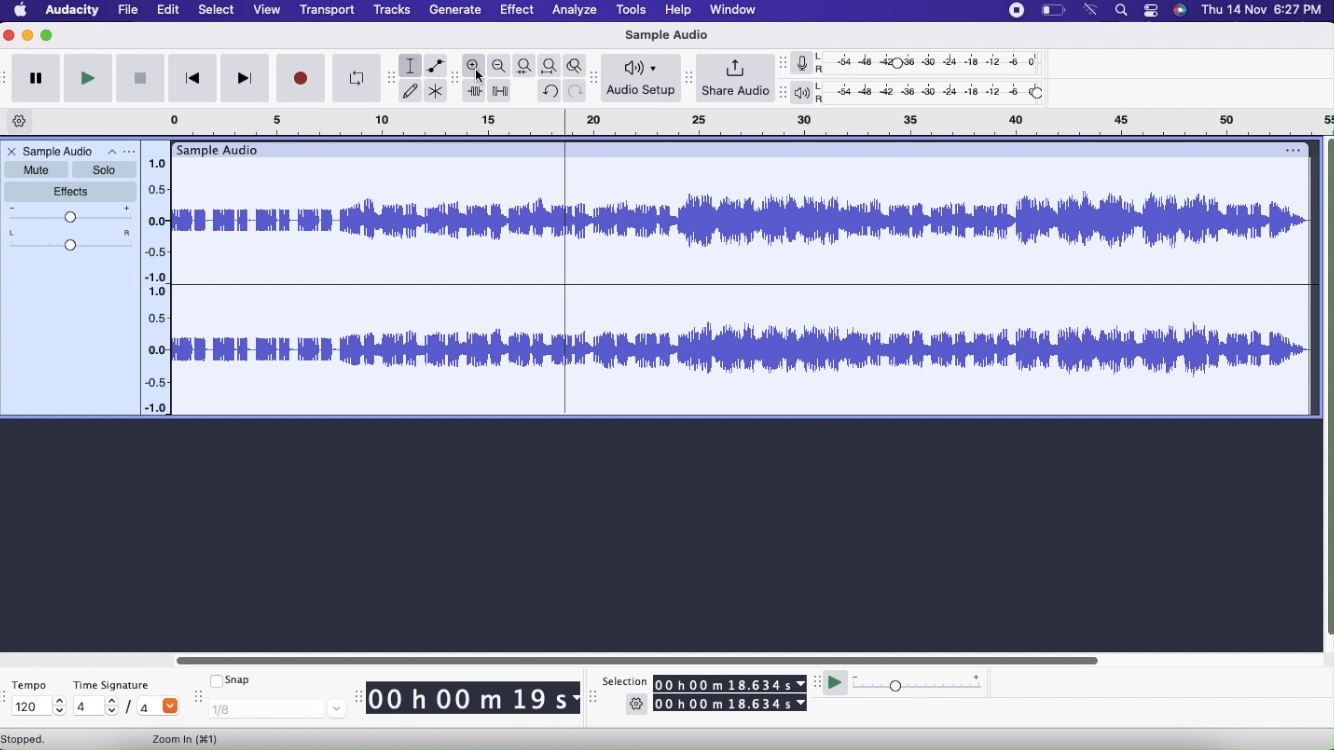 This screenshot has height=750, width=1334. I want to click on Envelope tool, so click(439, 65).